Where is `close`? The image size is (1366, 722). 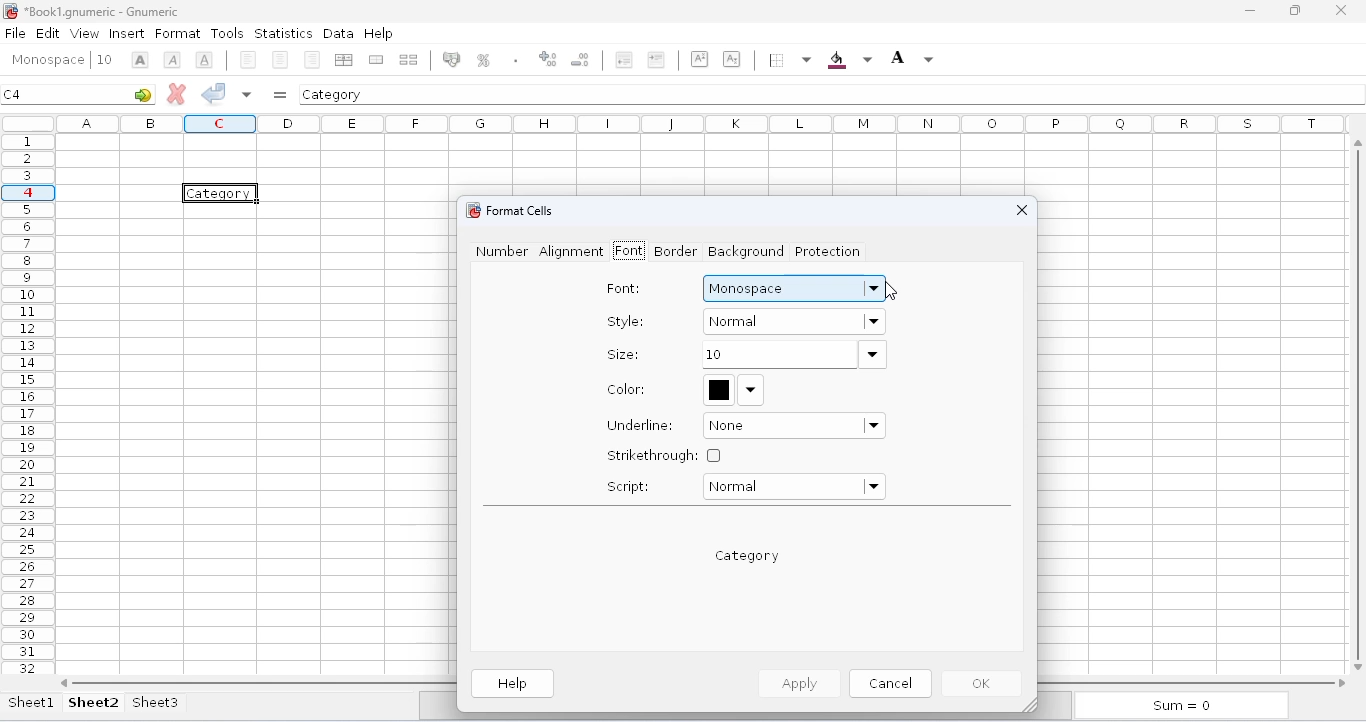
close is located at coordinates (1340, 9).